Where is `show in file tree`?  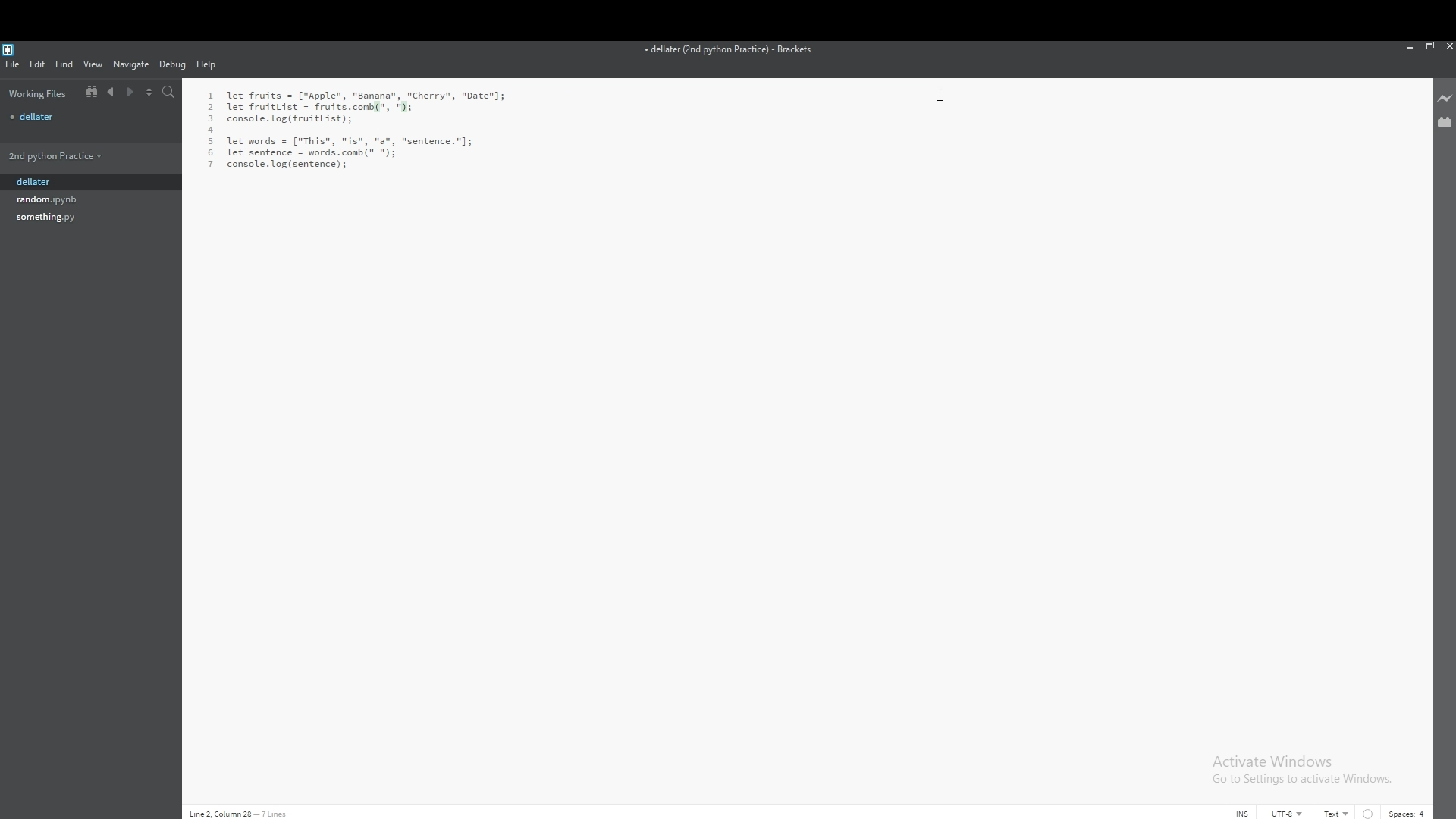
show in file tree is located at coordinates (89, 93).